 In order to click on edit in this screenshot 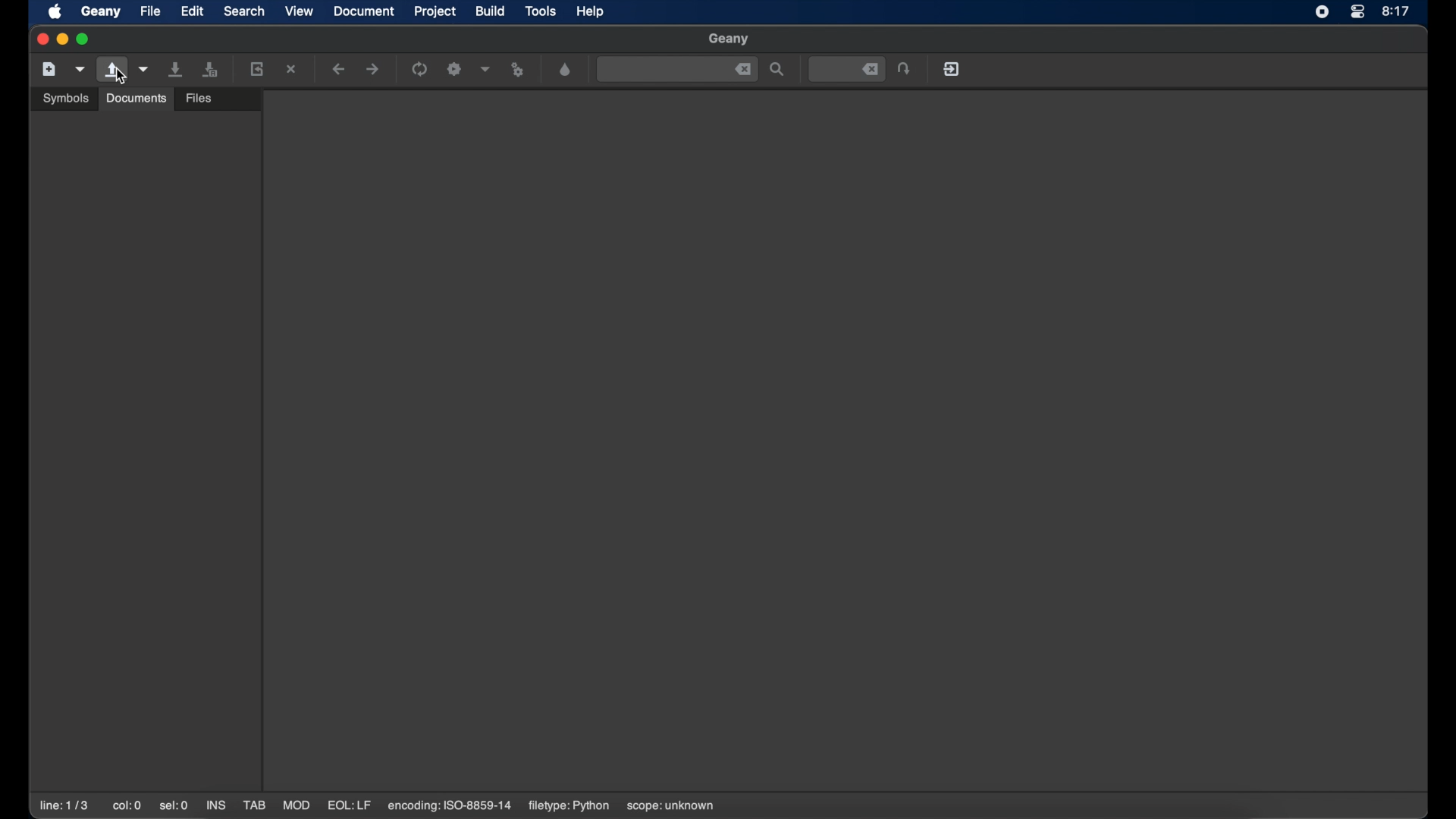, I will do `click(191, 11)`.